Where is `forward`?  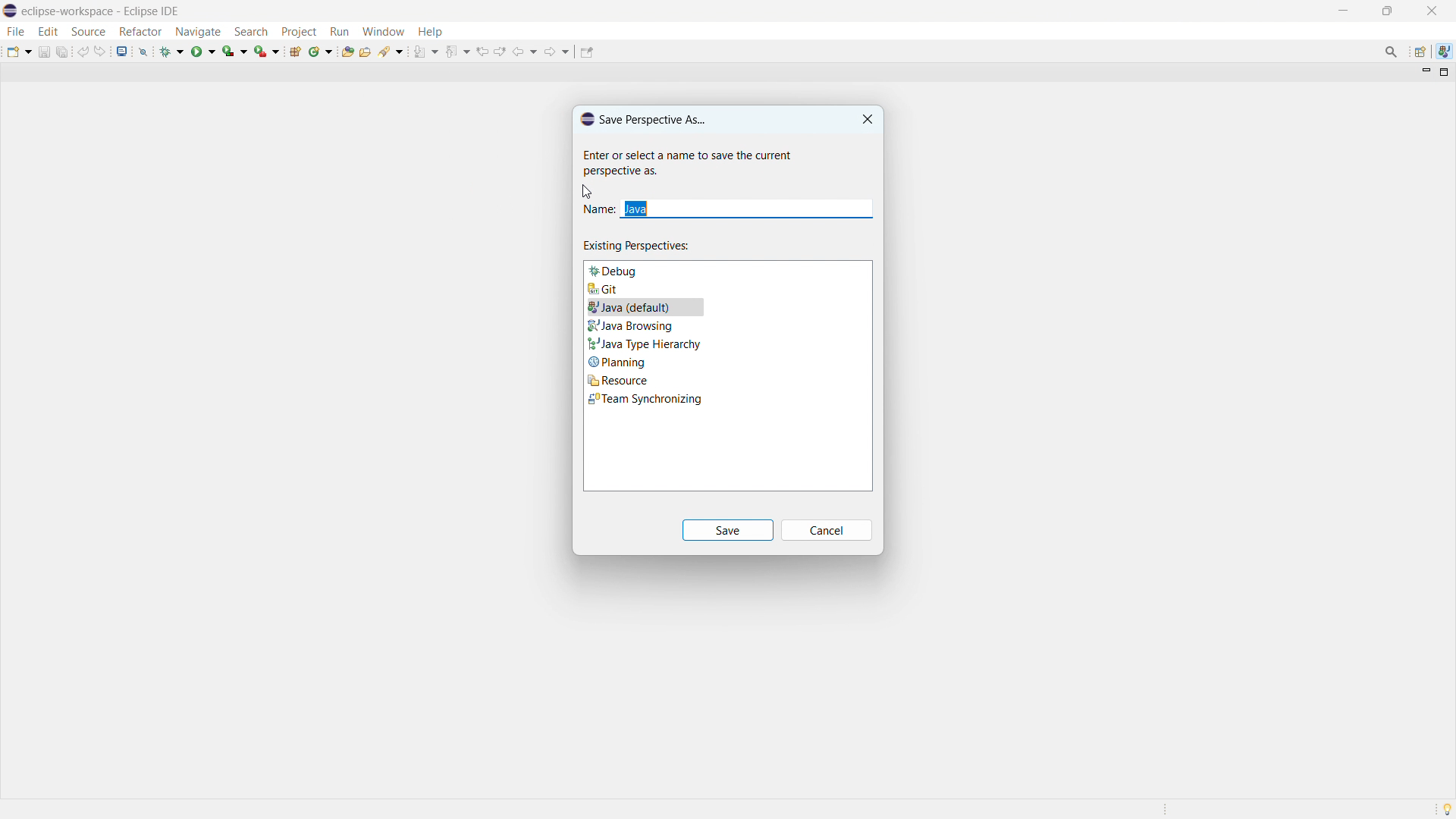 forward is located at coordinates (557, 51).